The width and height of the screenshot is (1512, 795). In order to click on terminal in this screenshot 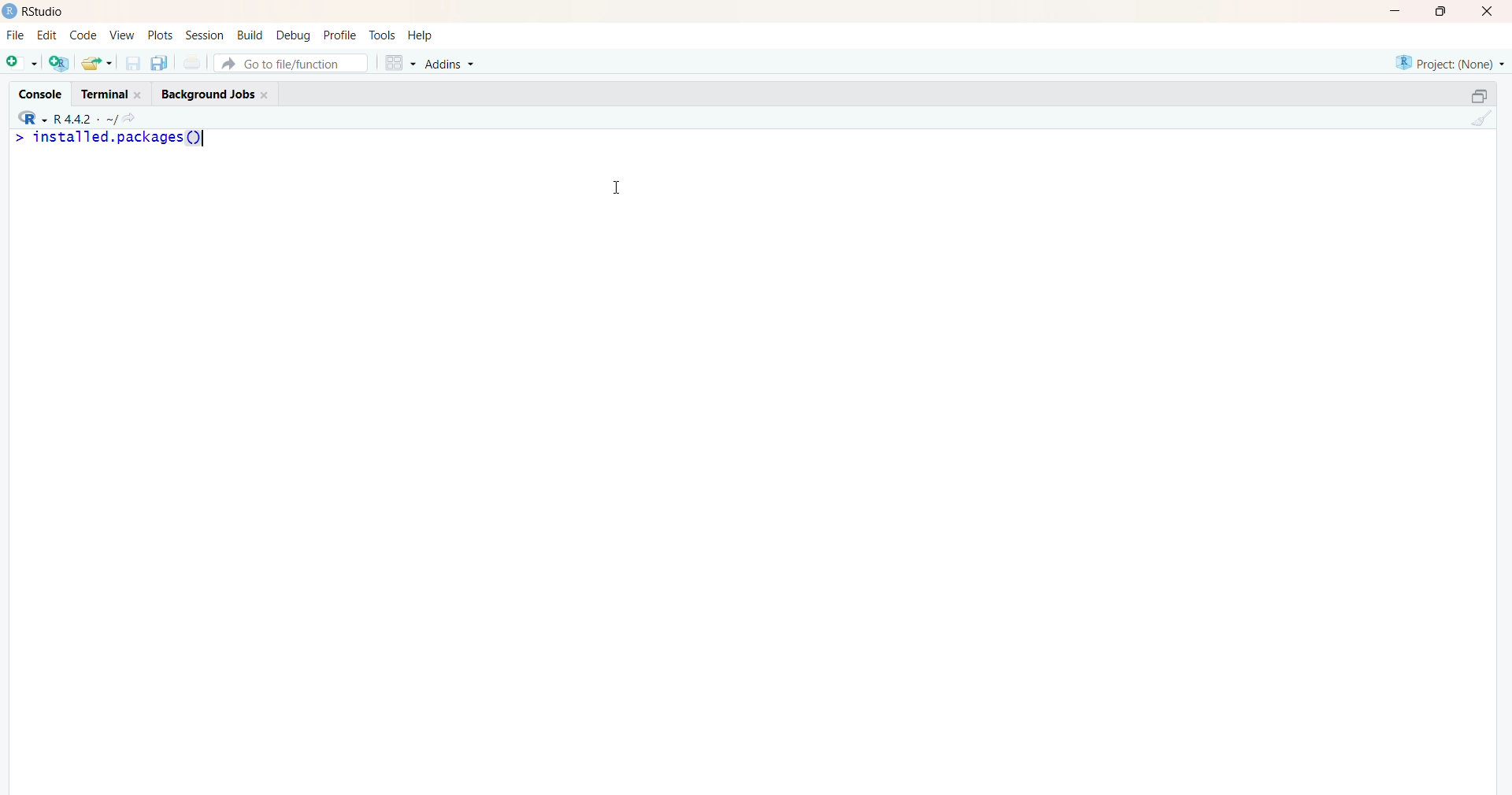, I will do `click(111, 93)`.